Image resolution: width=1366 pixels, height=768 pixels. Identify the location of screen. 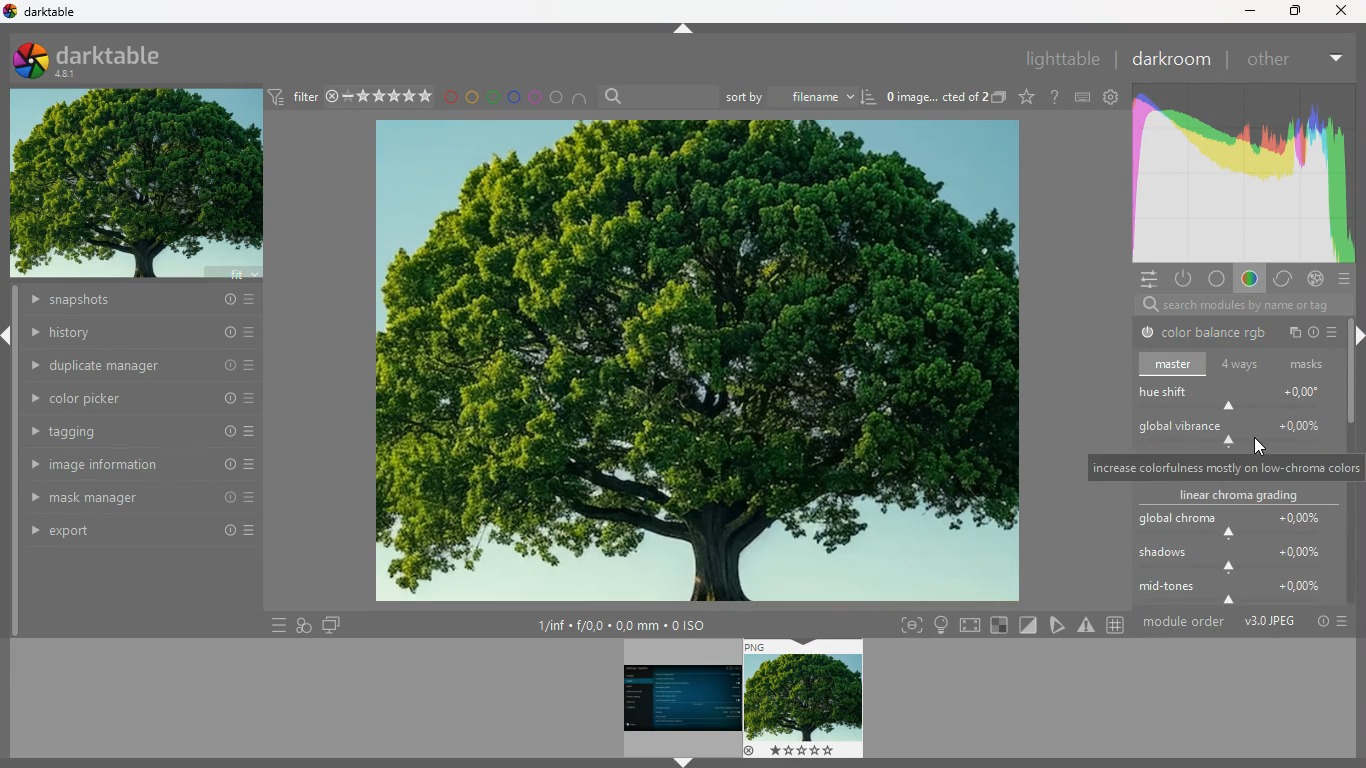
(972, 624).